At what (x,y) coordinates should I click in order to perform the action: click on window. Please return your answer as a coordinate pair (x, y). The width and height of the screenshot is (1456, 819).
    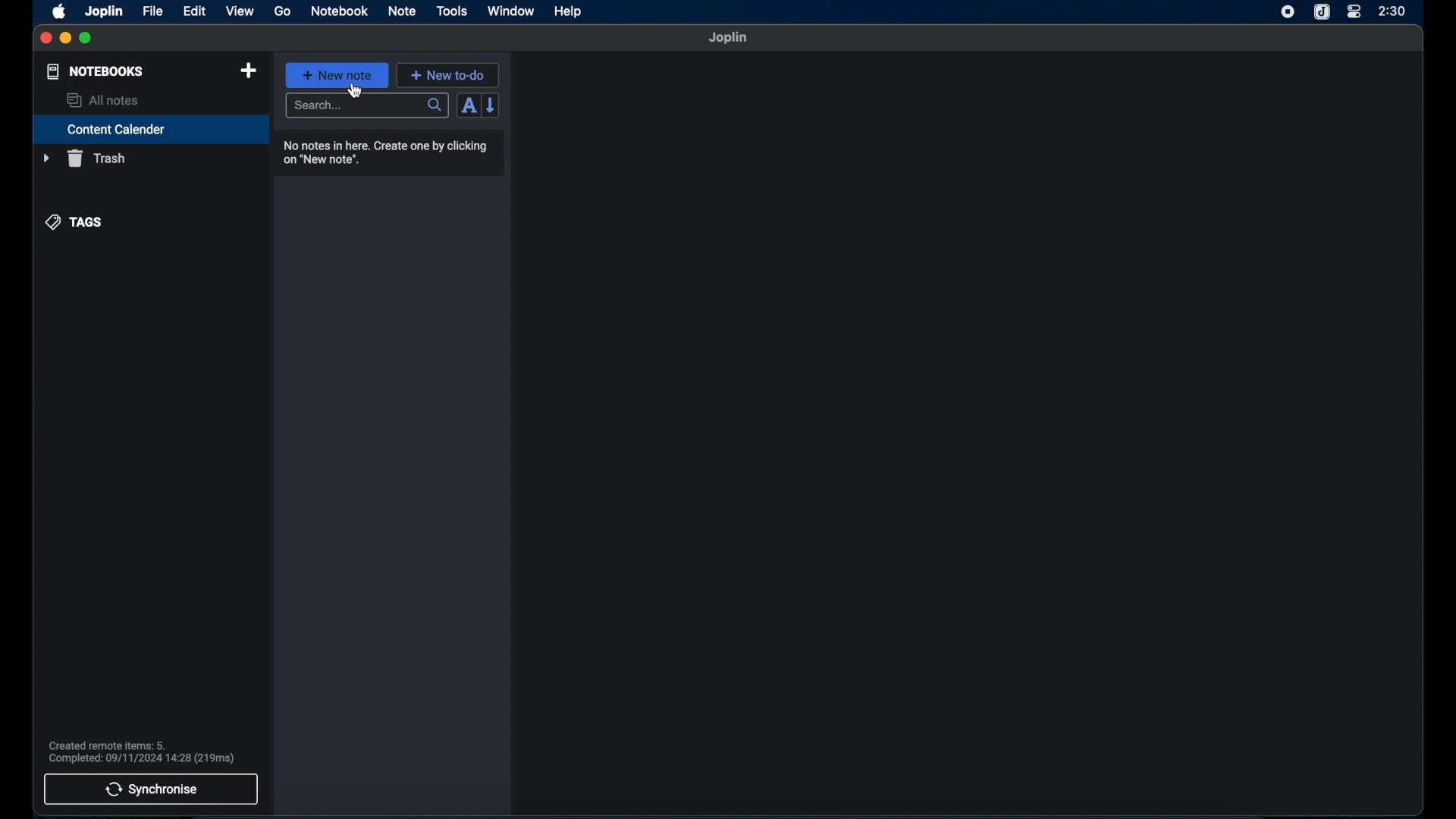
    Looking at the image, I should click on (511, 11).